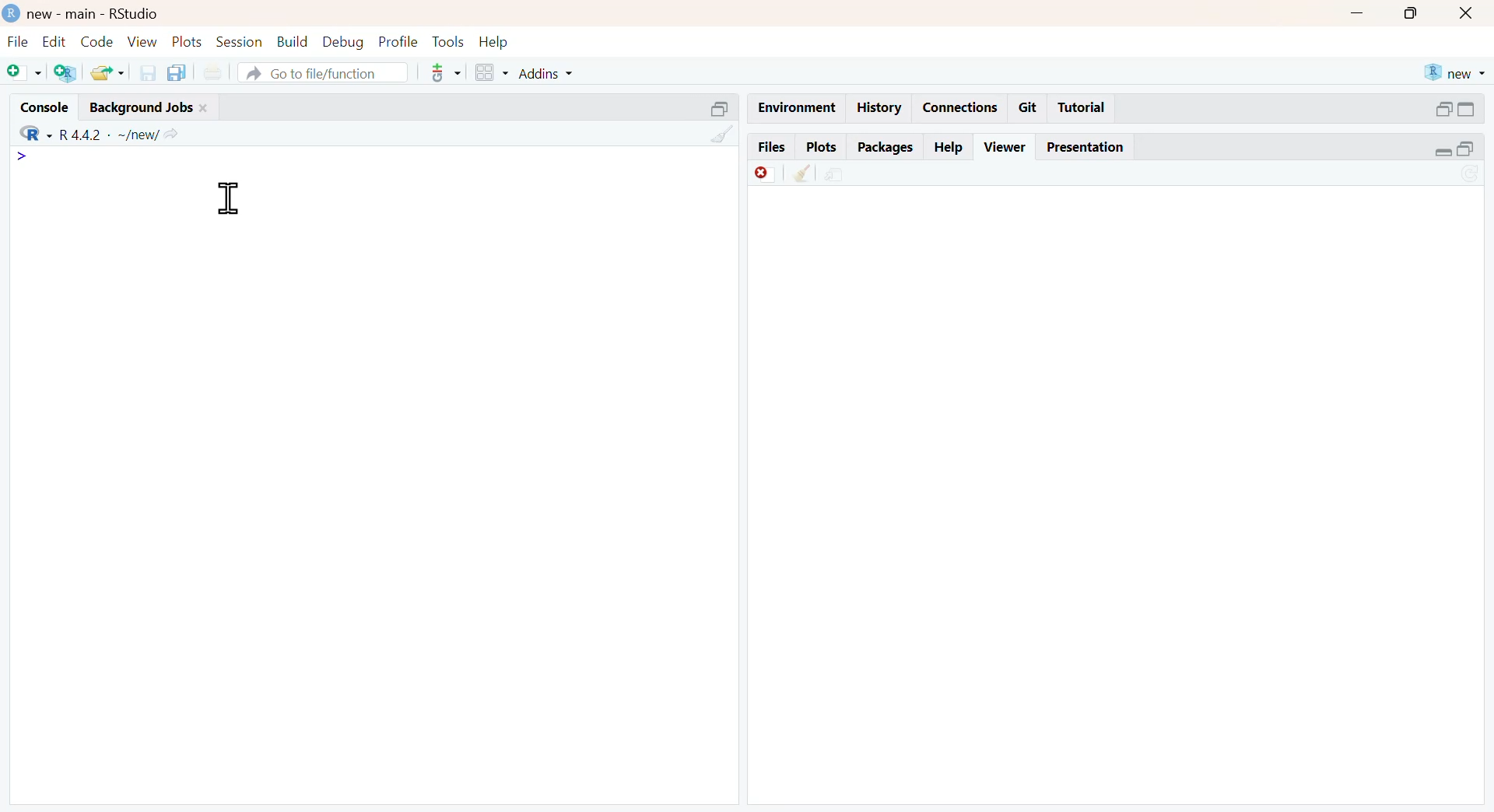  What do you see at coordinates (324, 72) in the screenshot?
I see `go to file/function` at bounding box center [324, 72].